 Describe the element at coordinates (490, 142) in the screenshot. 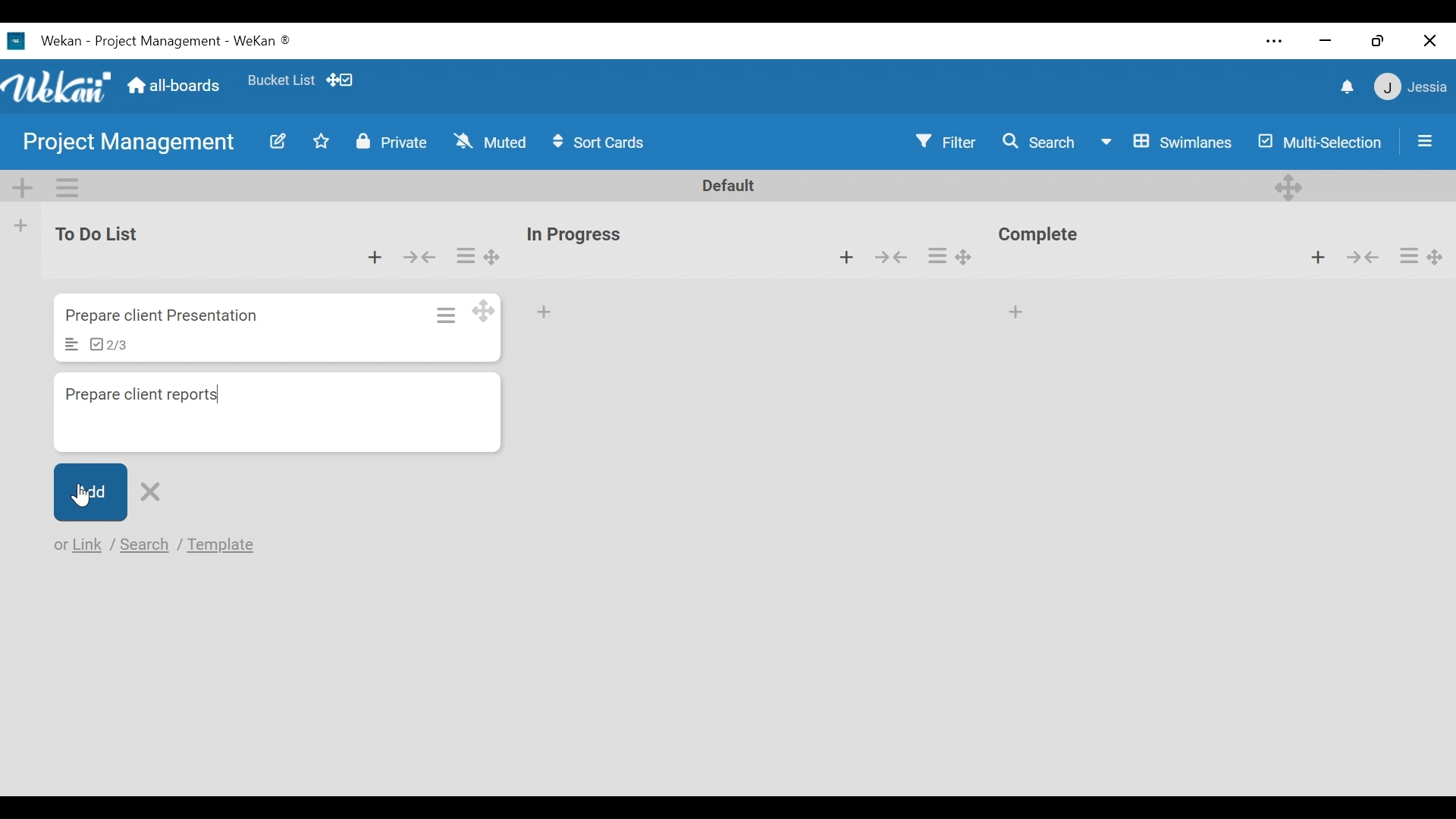

I see `Muted` at that location.